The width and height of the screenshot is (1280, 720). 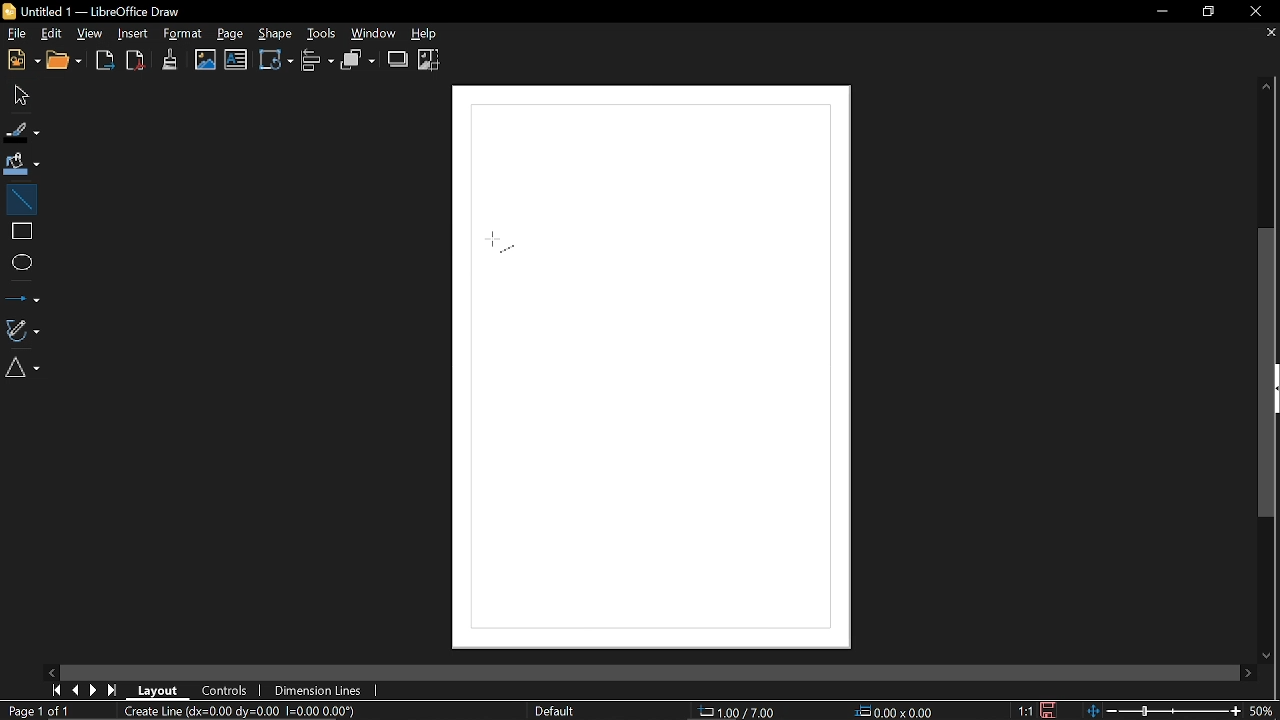 What do you see at coordinates (54, 671) in the screenshot?
I see `Move left` at bounding box center [54, 671].